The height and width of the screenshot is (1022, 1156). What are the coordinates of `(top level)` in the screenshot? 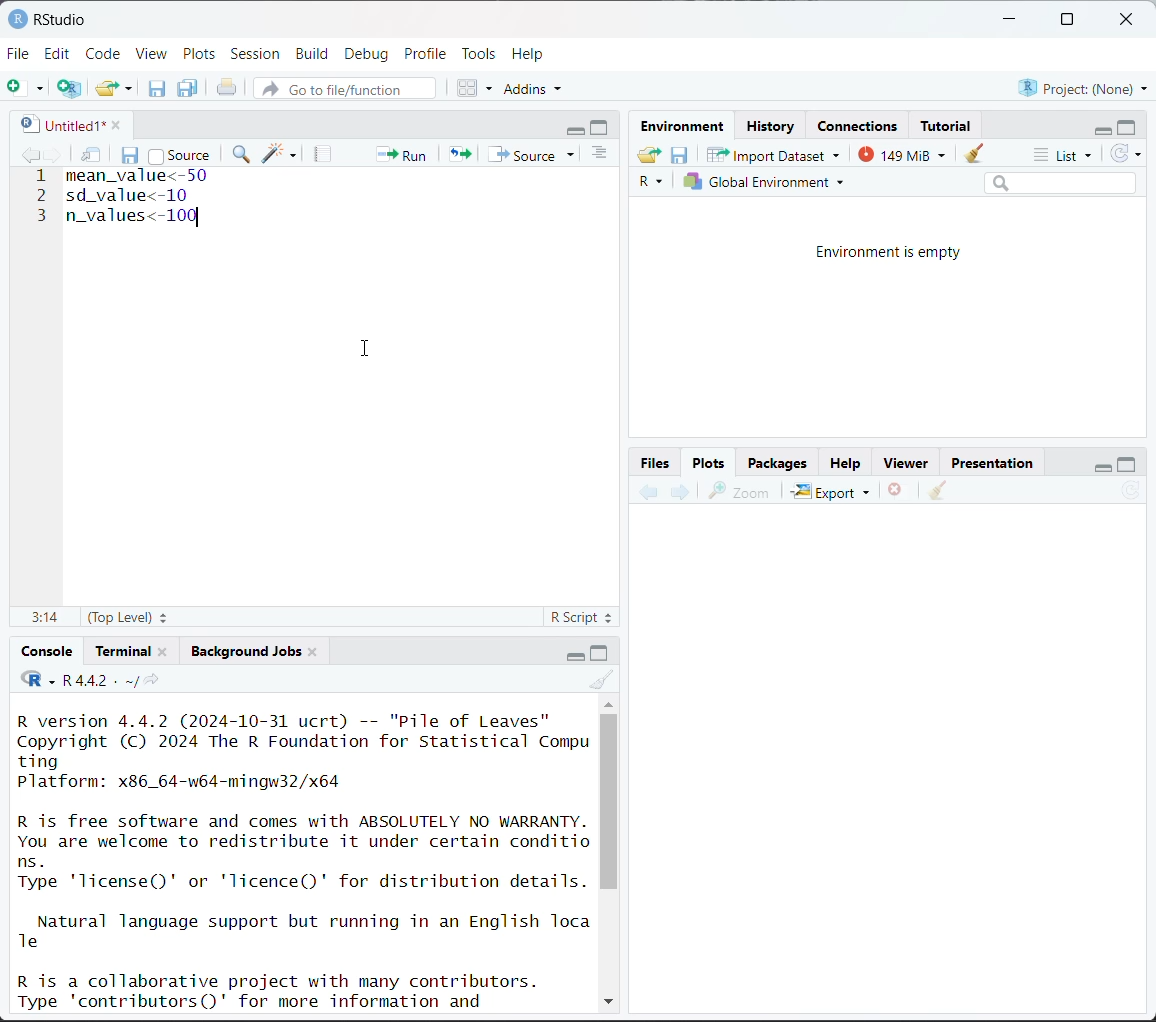 It's located at (130, 617).